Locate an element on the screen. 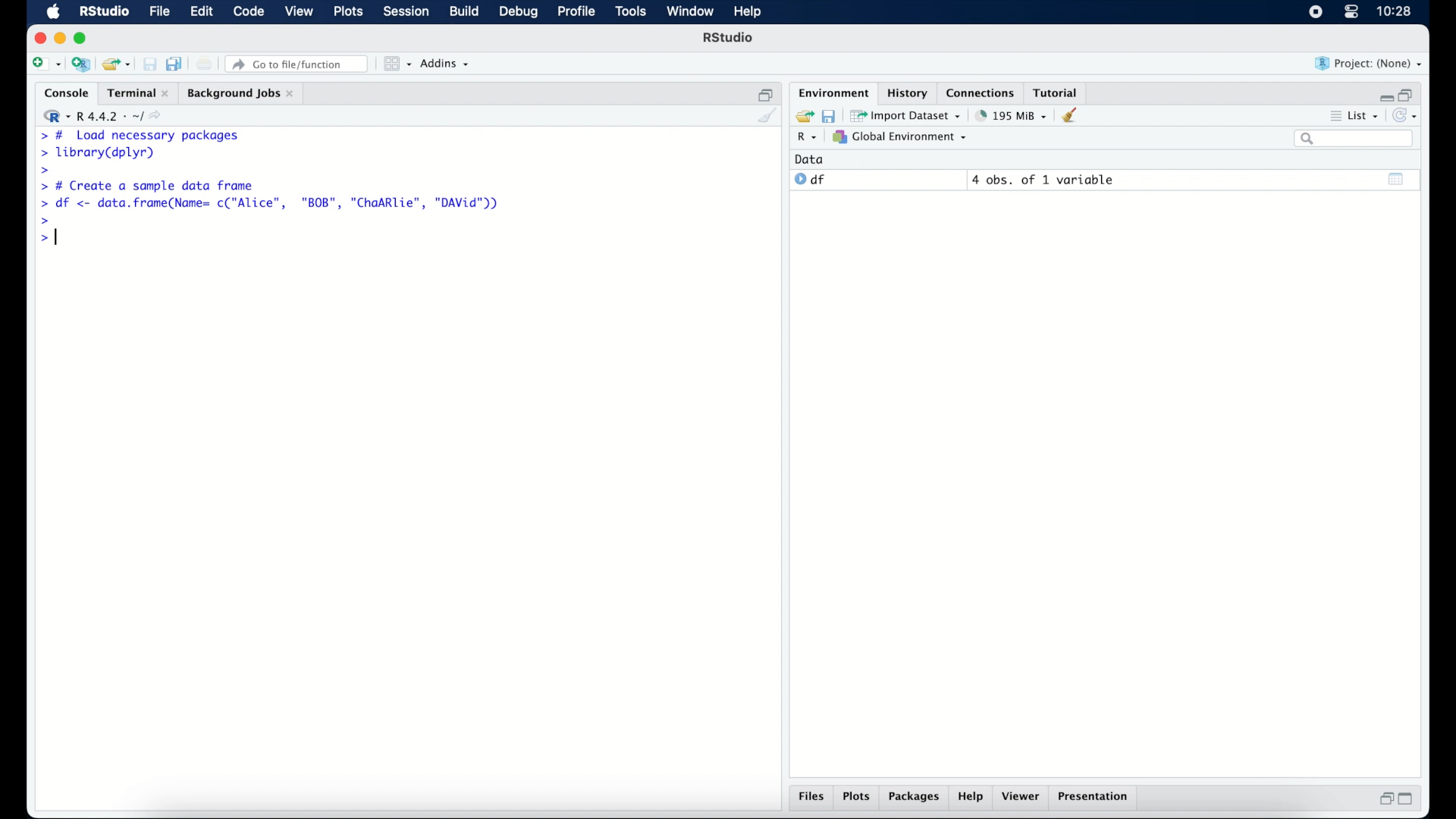 This screenshot has width=1456, height=819. > library(dplyr)| is located at coordinates (101, 153).